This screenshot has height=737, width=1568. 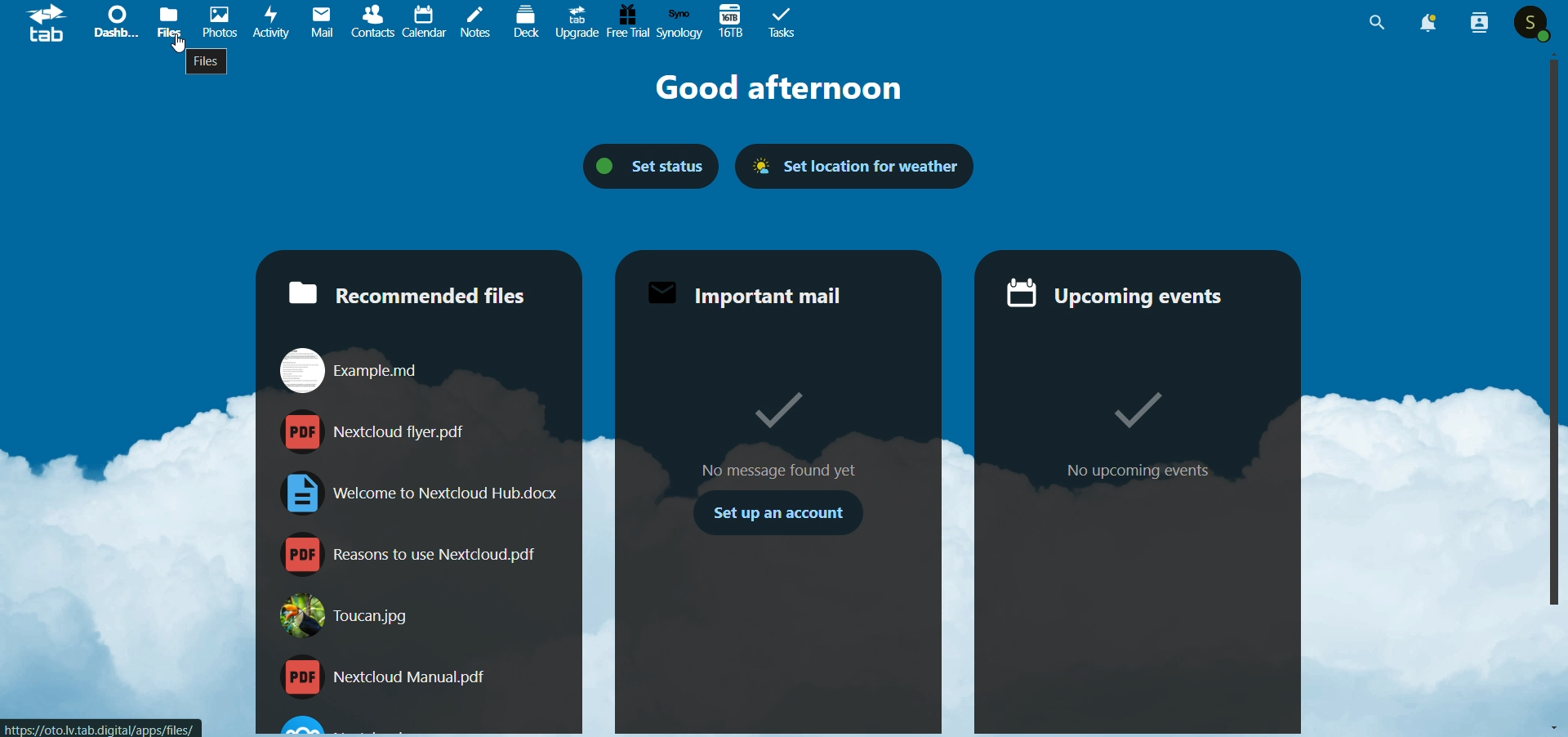 I want to click on cursor, so click(x=174, y=41).